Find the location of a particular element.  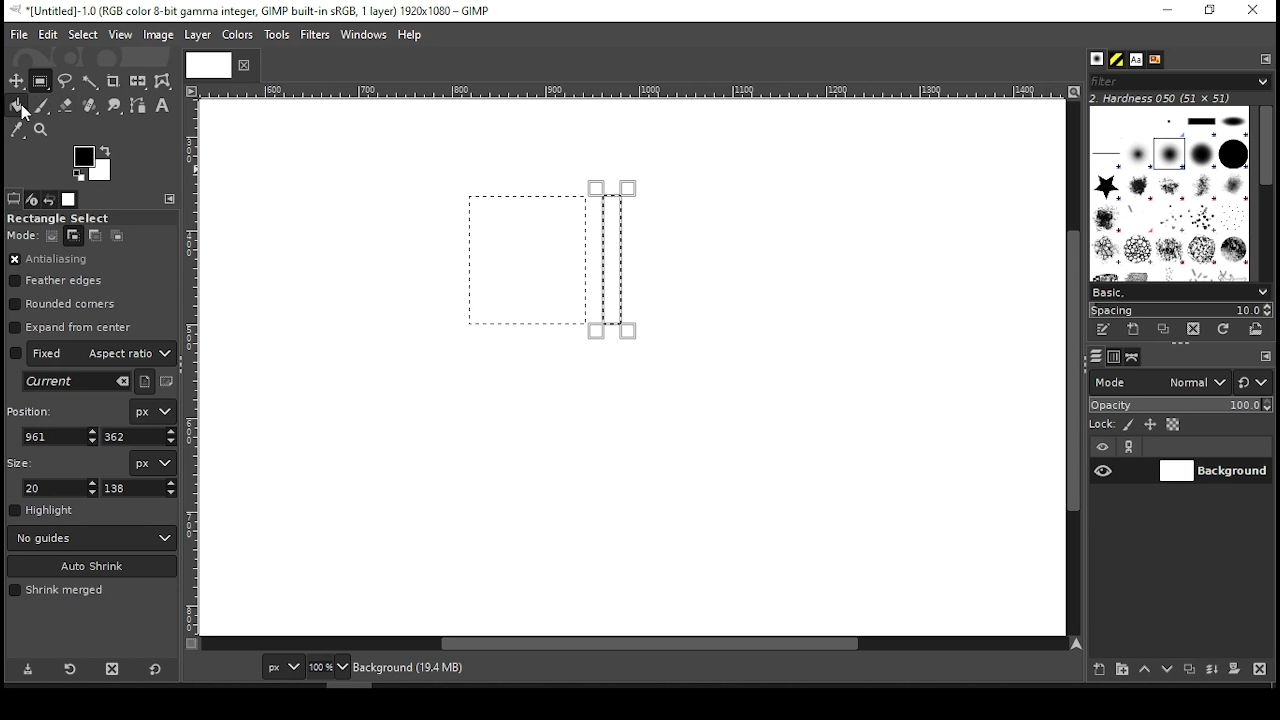

guides is located at coordinates (92, 538).